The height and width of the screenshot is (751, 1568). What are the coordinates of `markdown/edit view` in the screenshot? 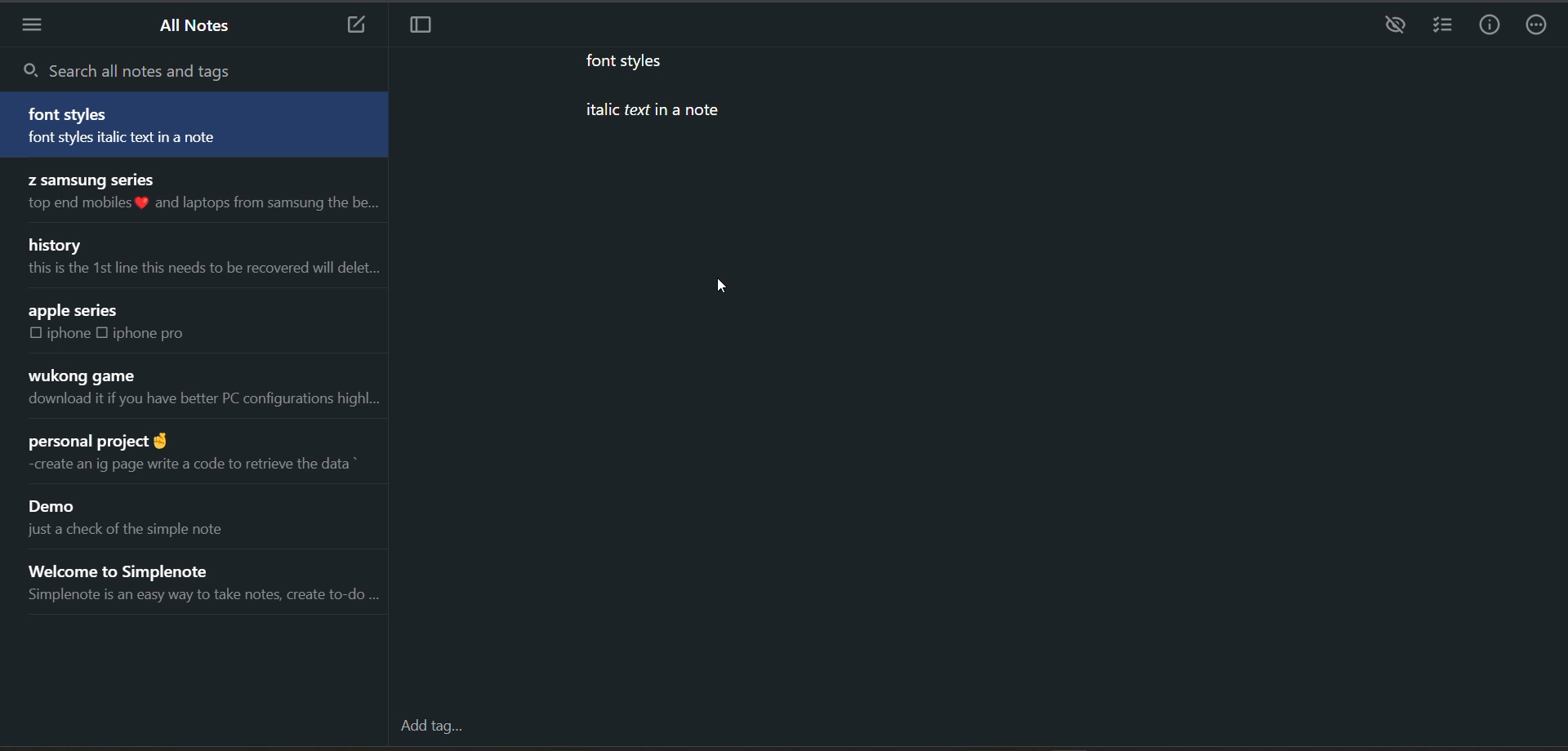 It's located at (1392, 25).